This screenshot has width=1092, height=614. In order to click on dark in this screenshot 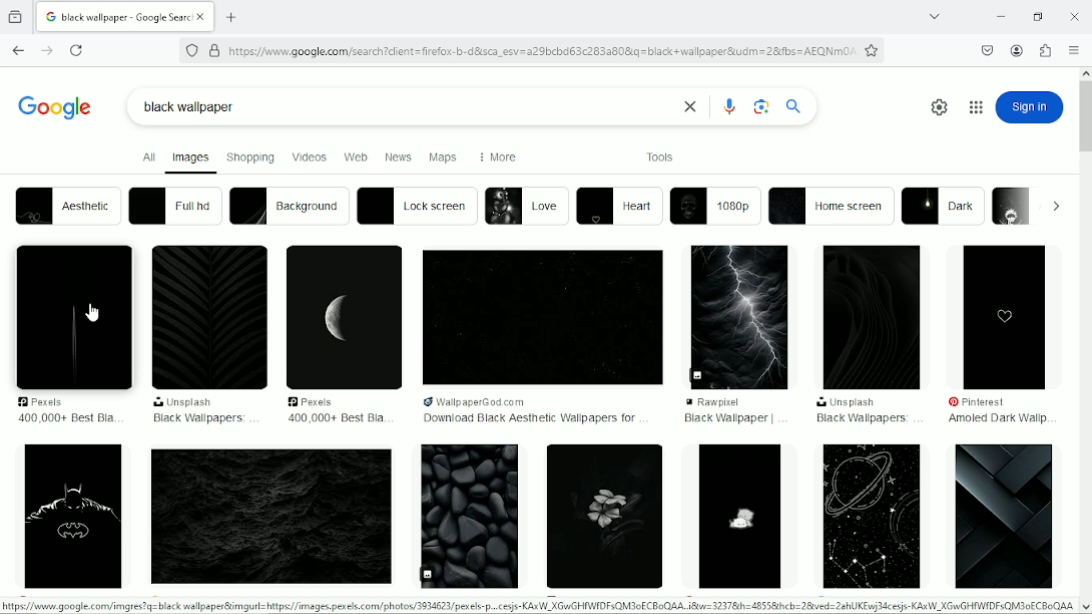, I will do `click(944, 206)`.